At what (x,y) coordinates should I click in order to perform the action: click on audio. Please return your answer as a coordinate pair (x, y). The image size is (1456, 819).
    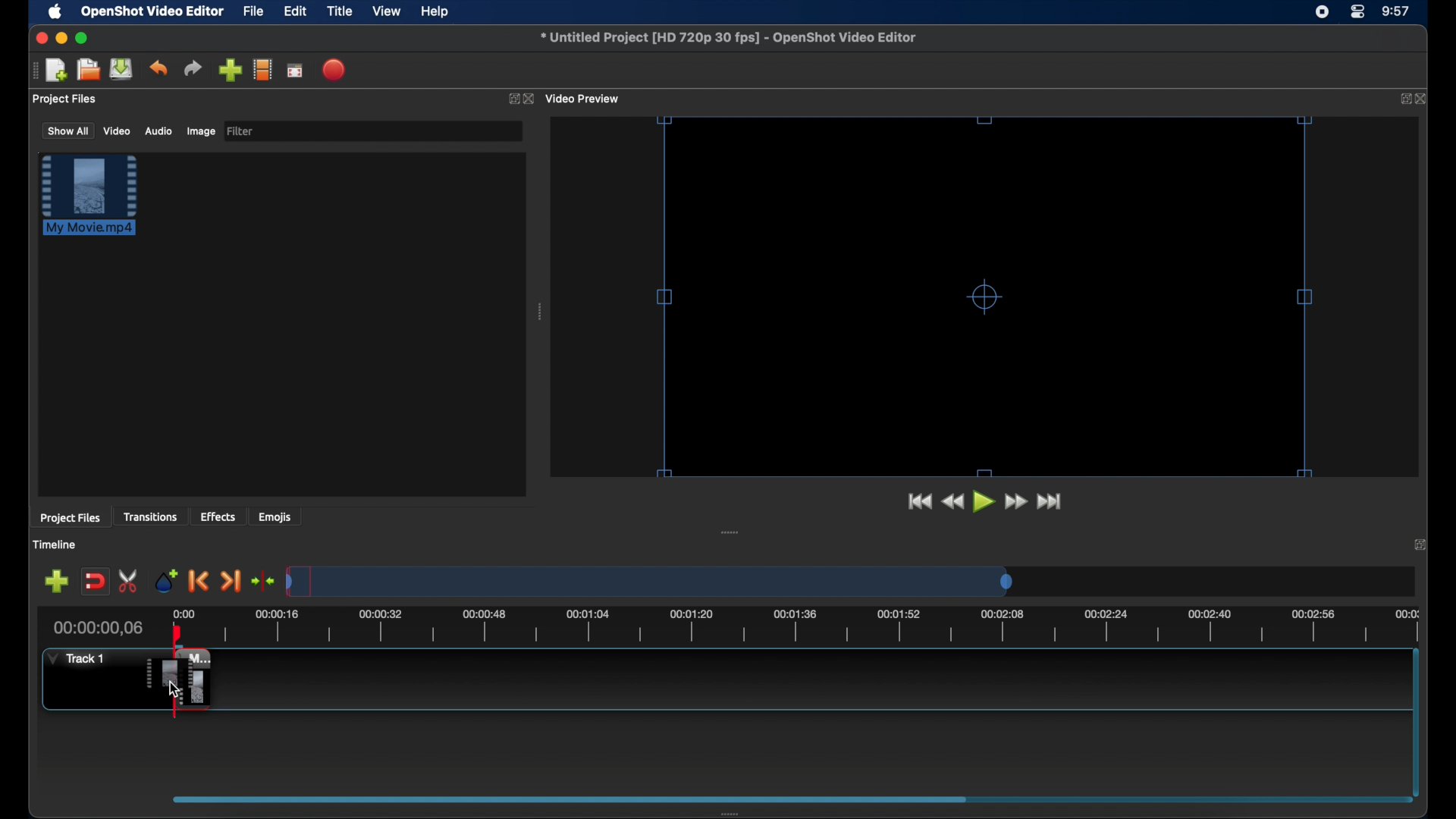
    Looking at the image, I should click on (158, 131).